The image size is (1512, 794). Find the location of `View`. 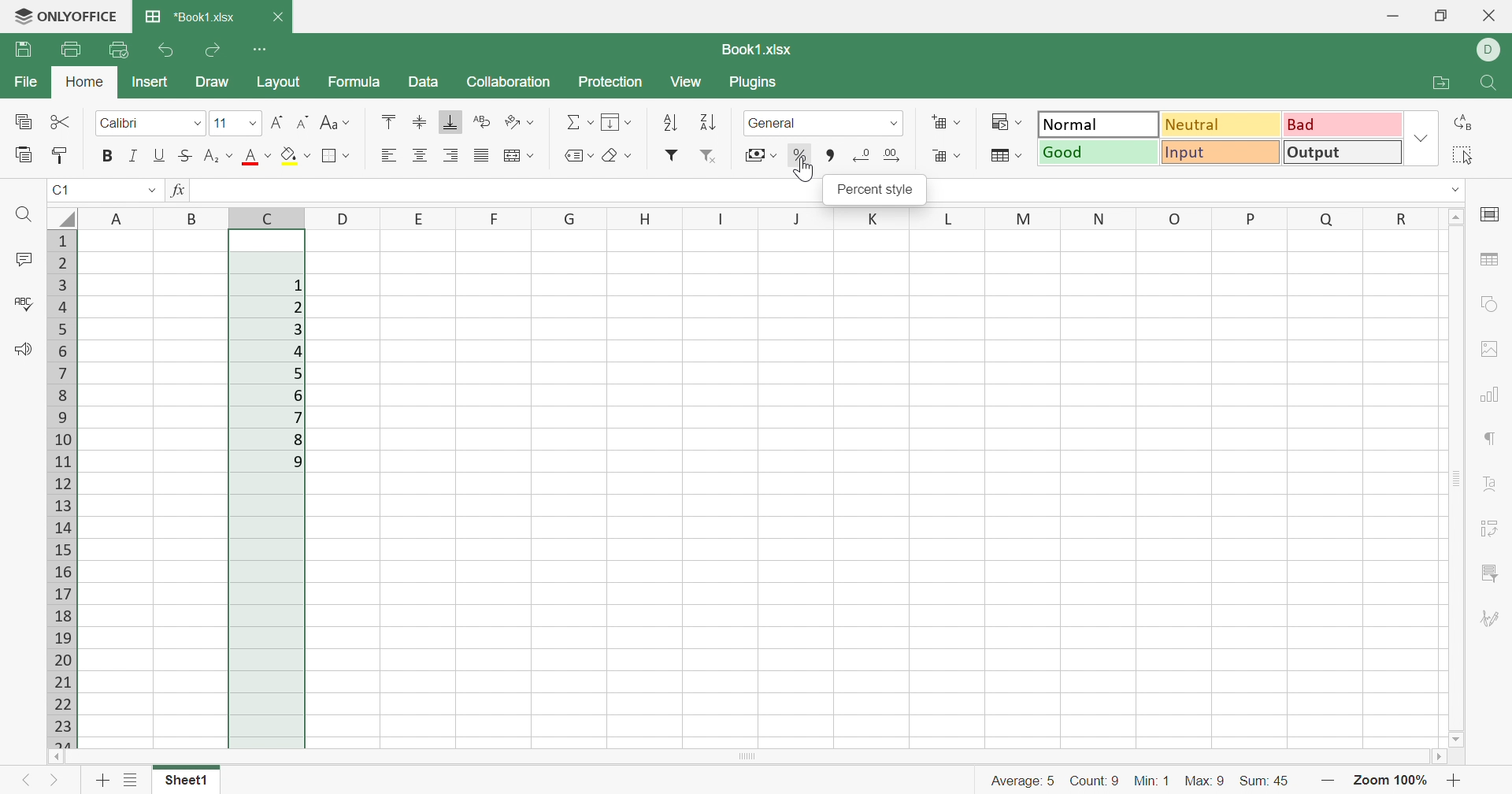

View is located at coordinates (686, 83).